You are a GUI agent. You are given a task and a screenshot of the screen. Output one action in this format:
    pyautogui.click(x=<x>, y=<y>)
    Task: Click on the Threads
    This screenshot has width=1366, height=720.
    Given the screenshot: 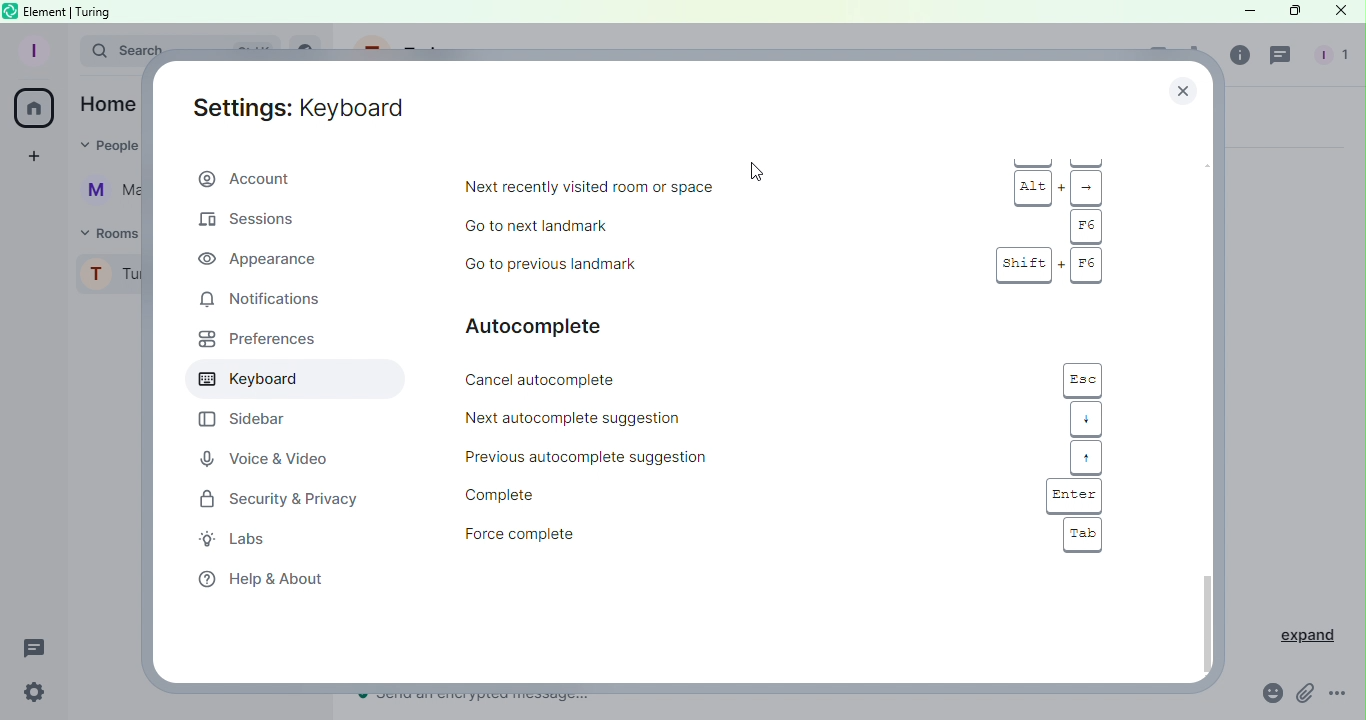 What is the action you would take?
    pyautogui.click(x=1282, y=57)
    